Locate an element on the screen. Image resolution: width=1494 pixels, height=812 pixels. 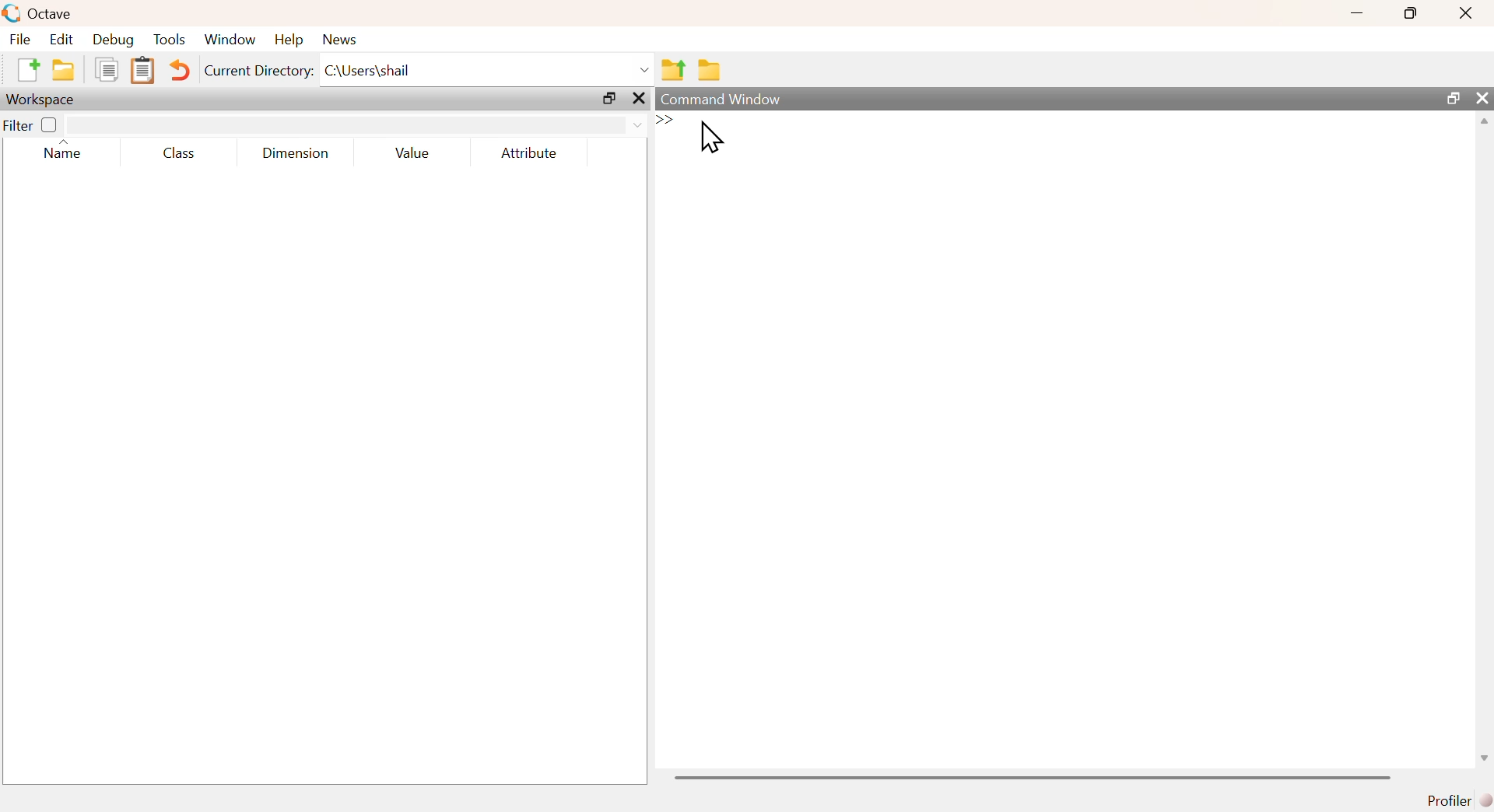
filter is located at coordinates (356, 125).